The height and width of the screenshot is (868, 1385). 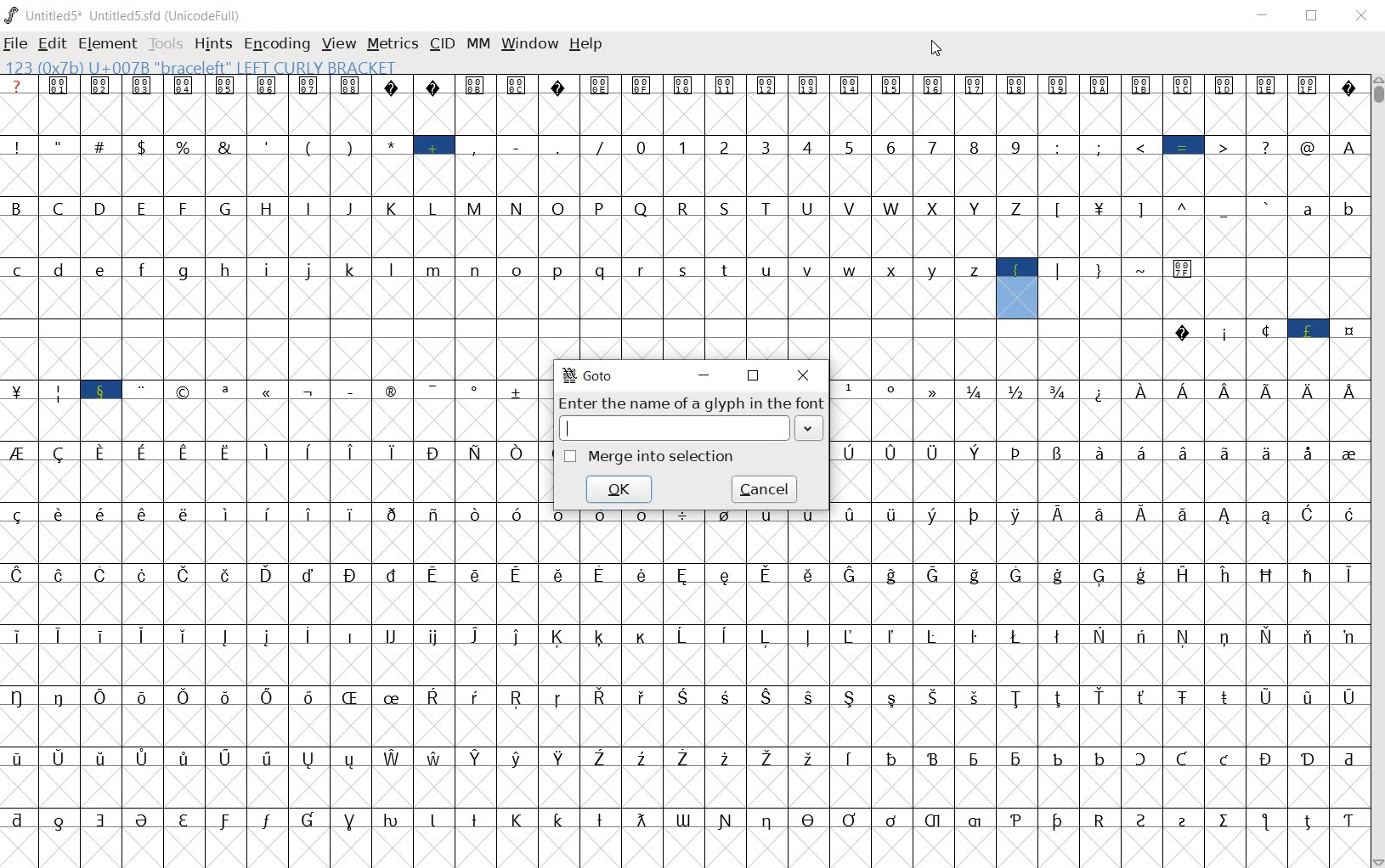 I want to click on CLOSE, so click(x=804, y=375).